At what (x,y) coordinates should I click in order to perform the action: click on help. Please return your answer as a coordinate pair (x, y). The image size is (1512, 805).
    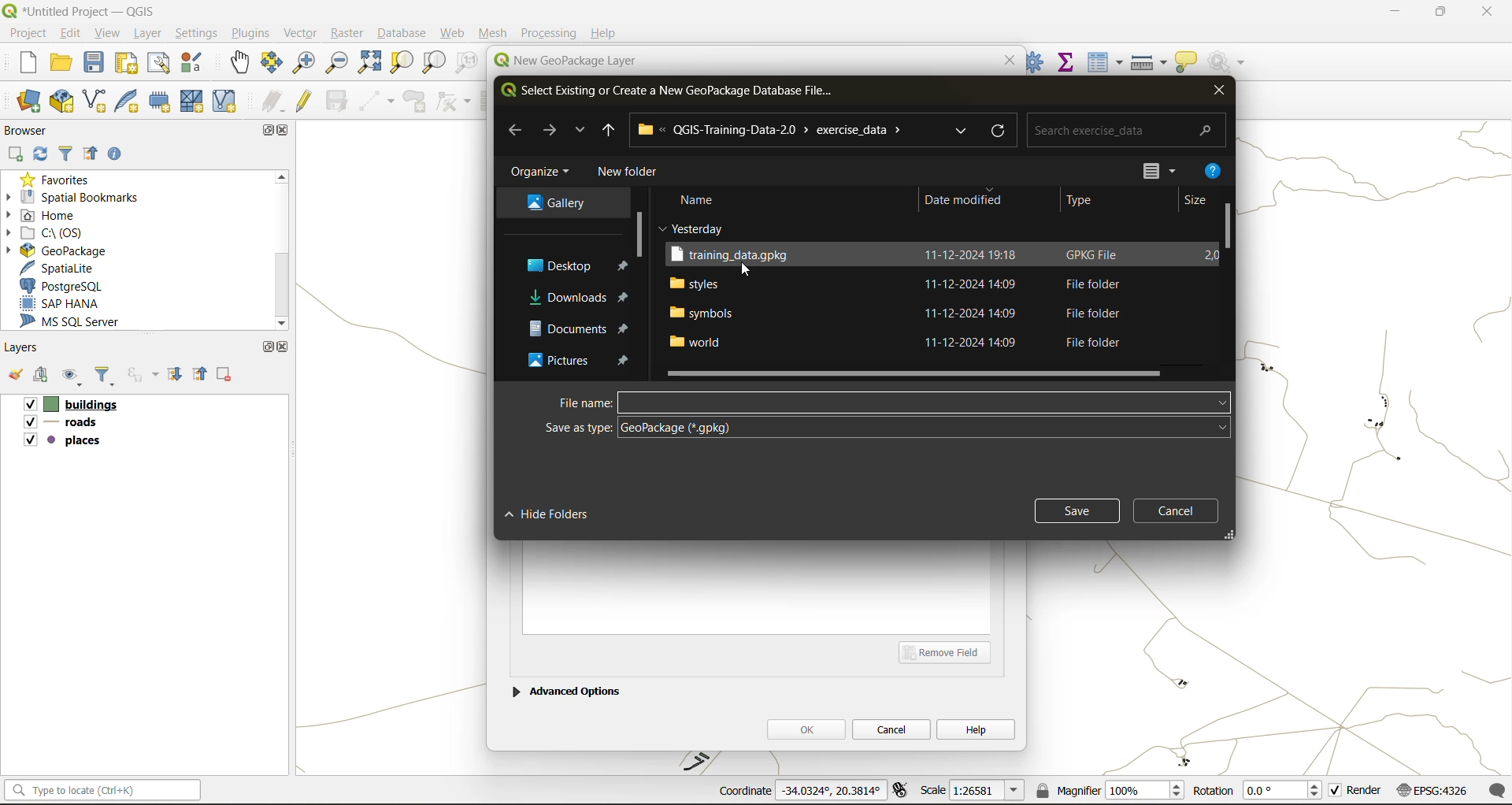
    Looking at the image, I should click on (1214, 169).